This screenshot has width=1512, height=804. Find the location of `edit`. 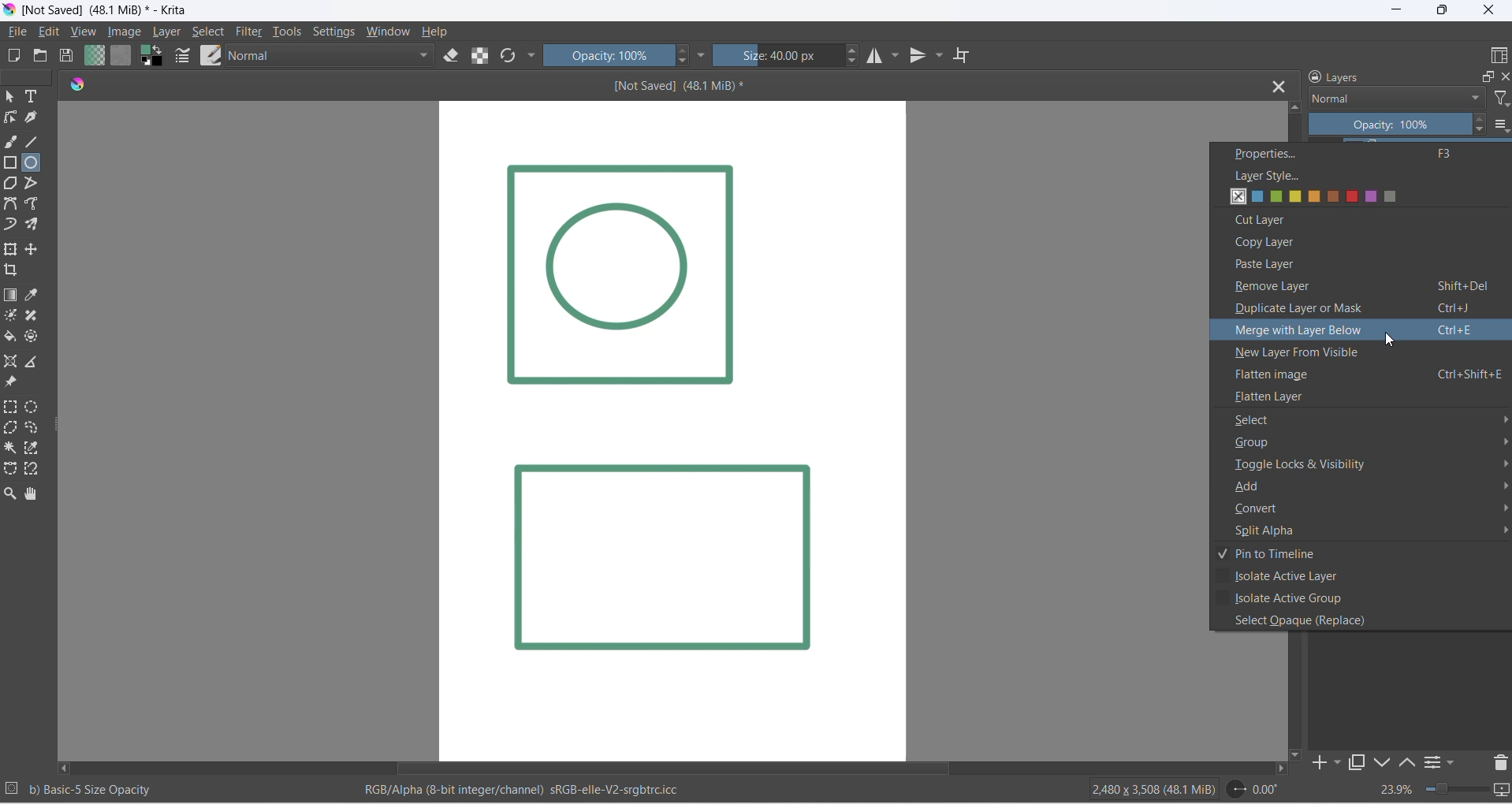

edit is located at coordinates (48, 32).